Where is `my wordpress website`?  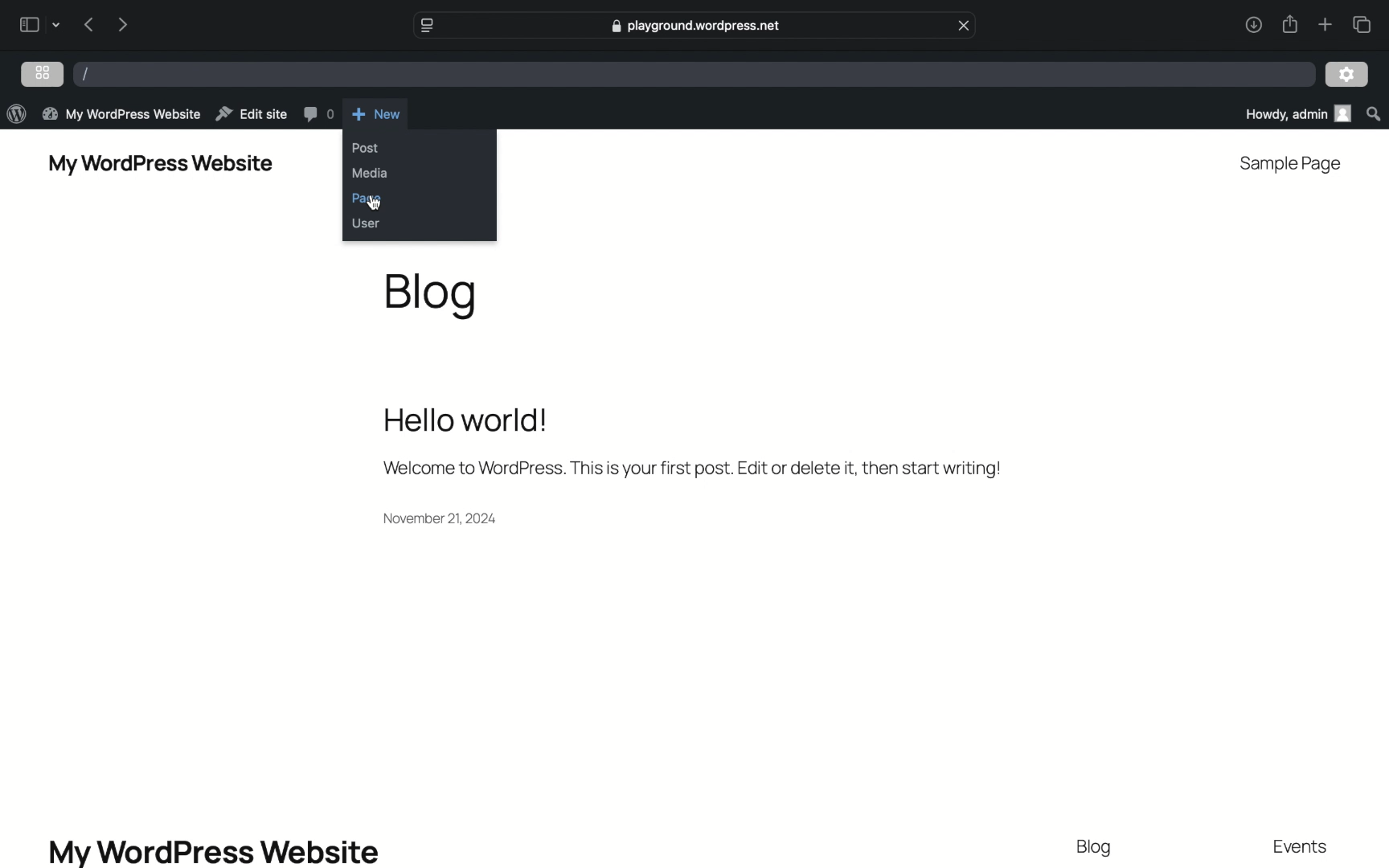 my wordpress website is located at coordinates (122, 115).